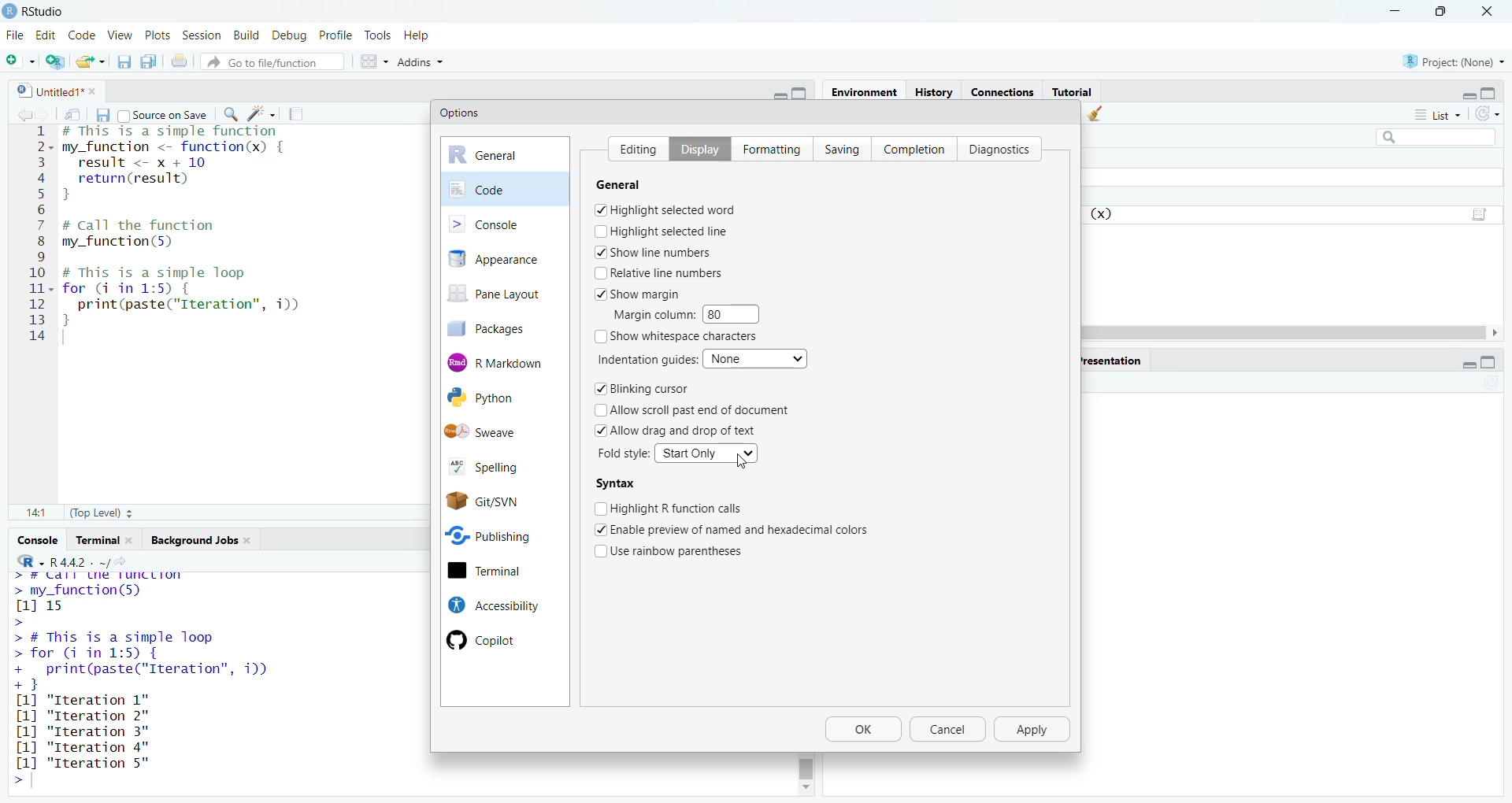 The height and width of the screenshot is (803, 1512). I want to click on Ok, so click(864, 731).